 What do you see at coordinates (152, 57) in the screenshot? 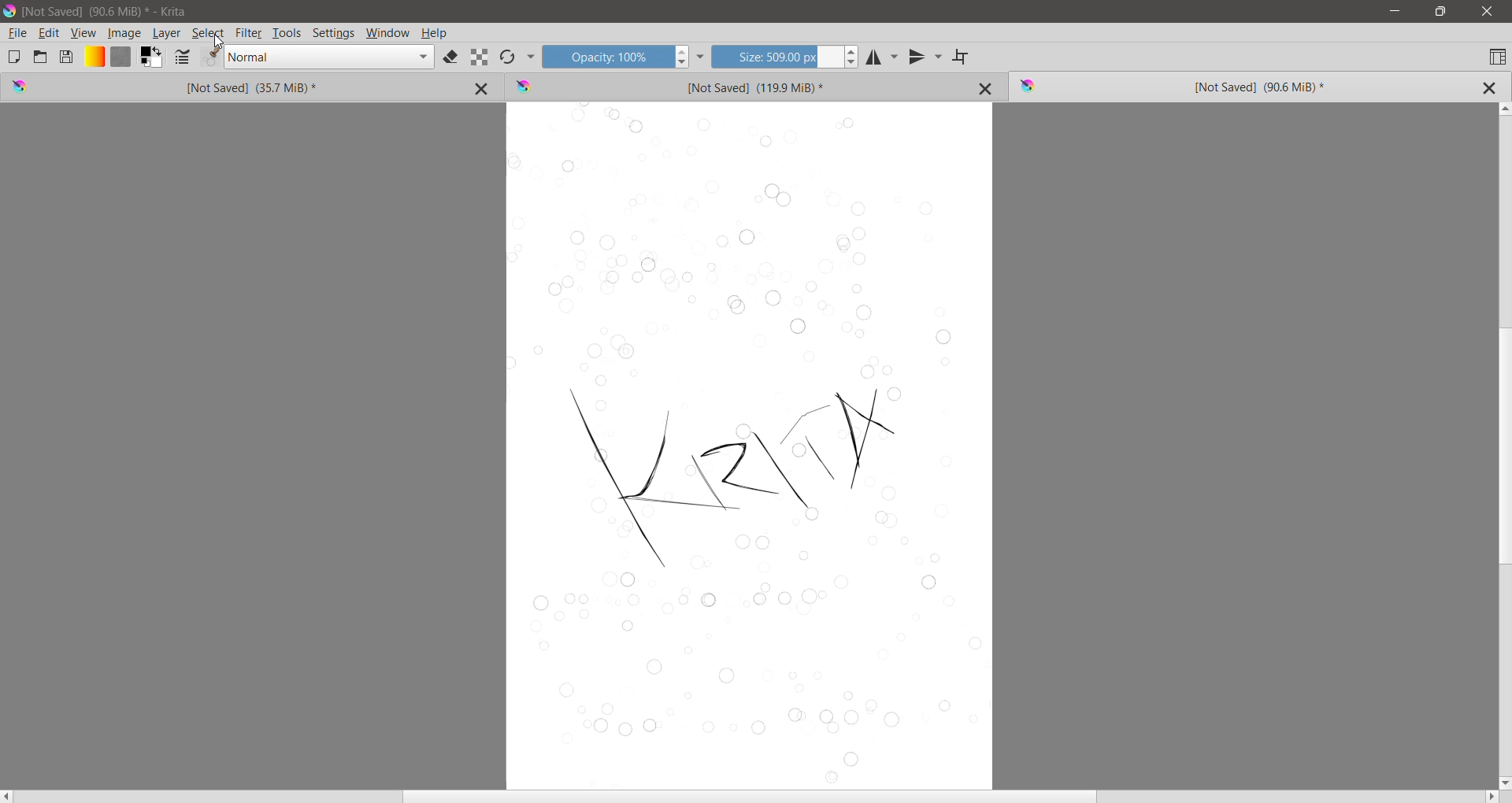
I see `Foreground and Background Color Selector` at bounding box center [152, 57].